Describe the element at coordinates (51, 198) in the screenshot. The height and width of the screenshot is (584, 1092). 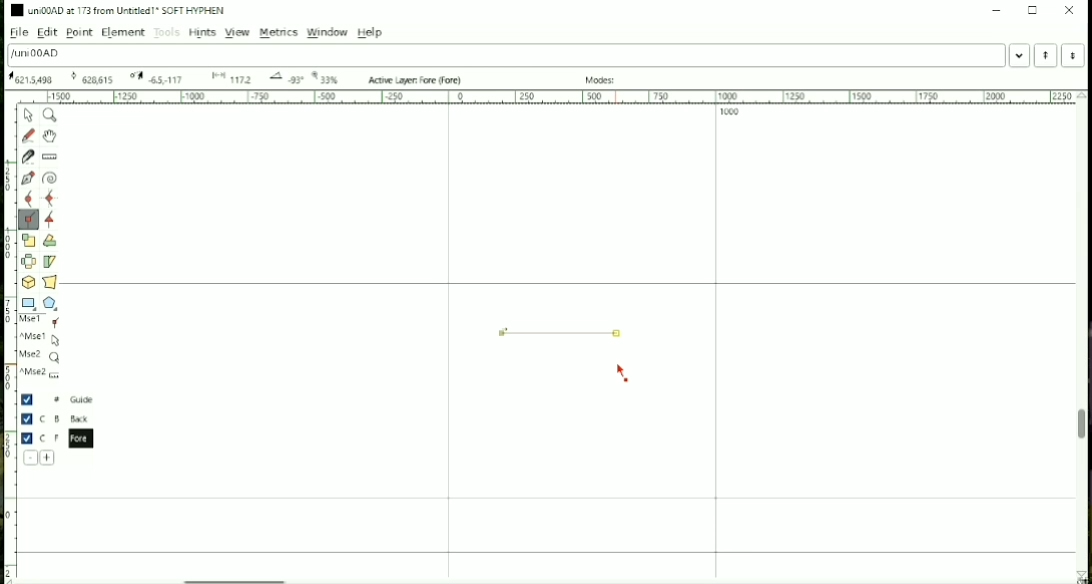
I see `Add a curve point always either horizontal or vertical` at that location.